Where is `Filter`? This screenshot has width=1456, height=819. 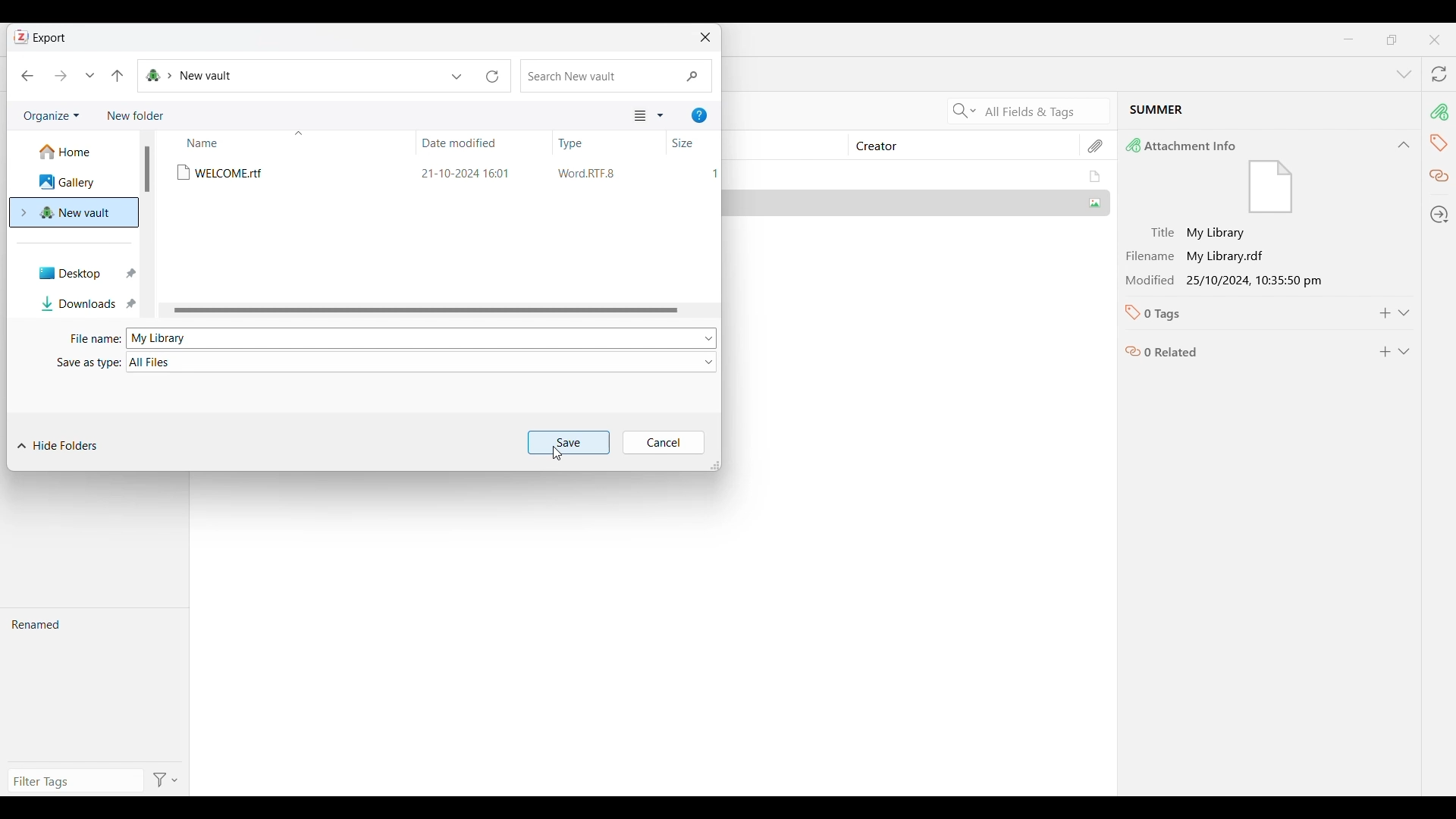 Filter is located at coordinates (168, 780).